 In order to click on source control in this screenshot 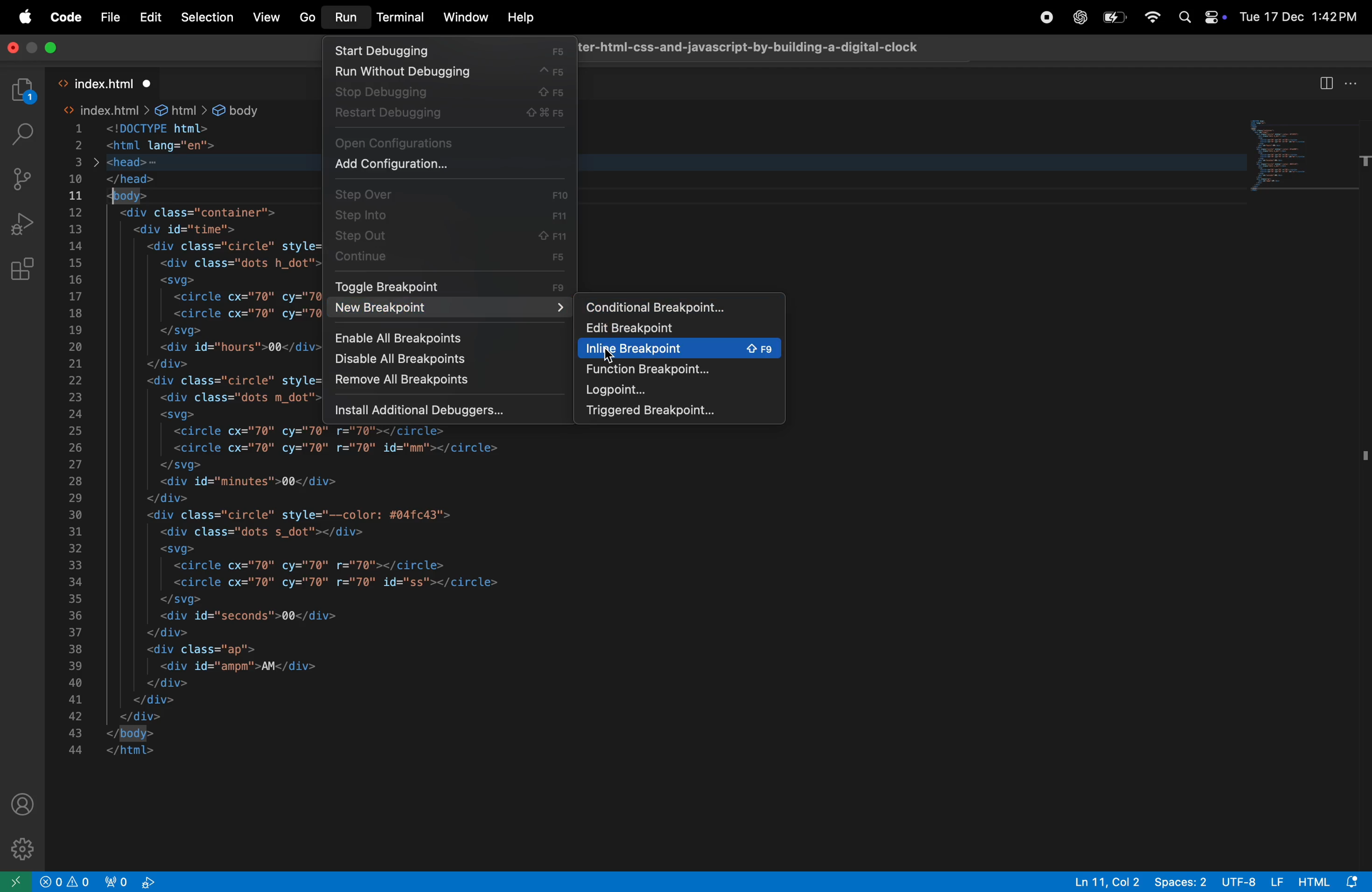, I will do `click(25, 177)`.